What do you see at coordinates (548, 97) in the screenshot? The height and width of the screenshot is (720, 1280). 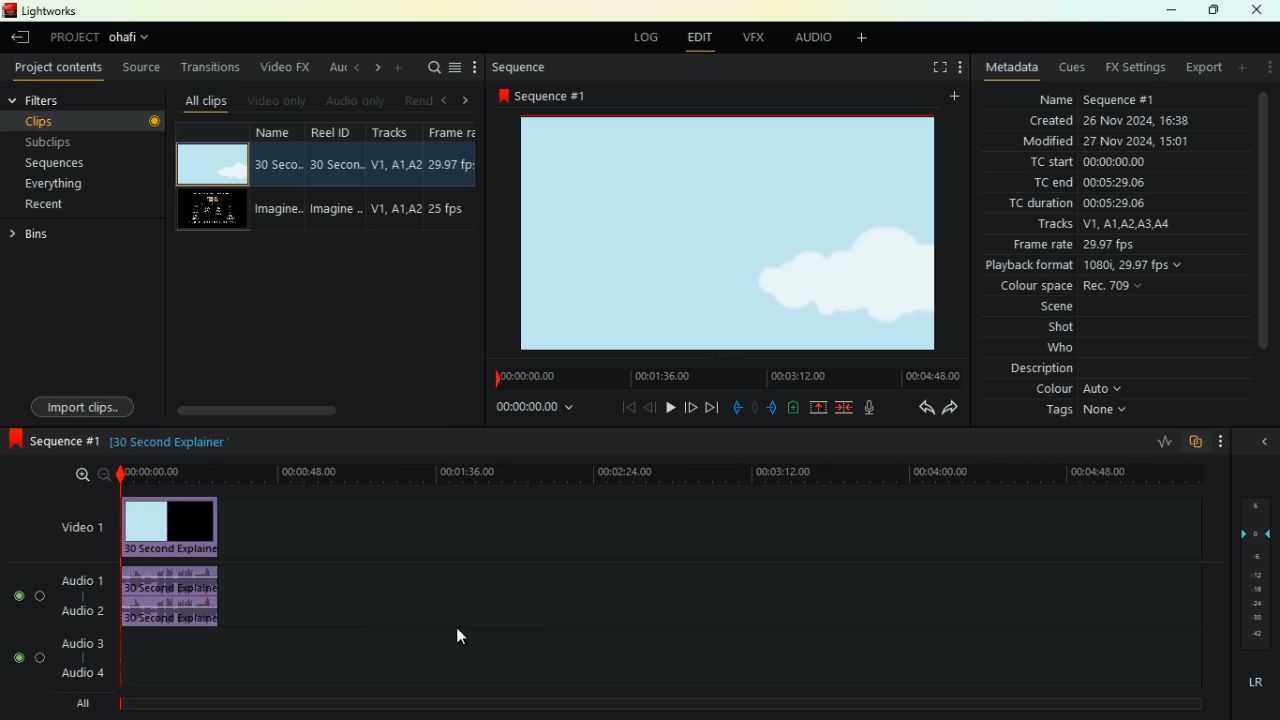 I see `sequence` at bounding box center [548, 97].